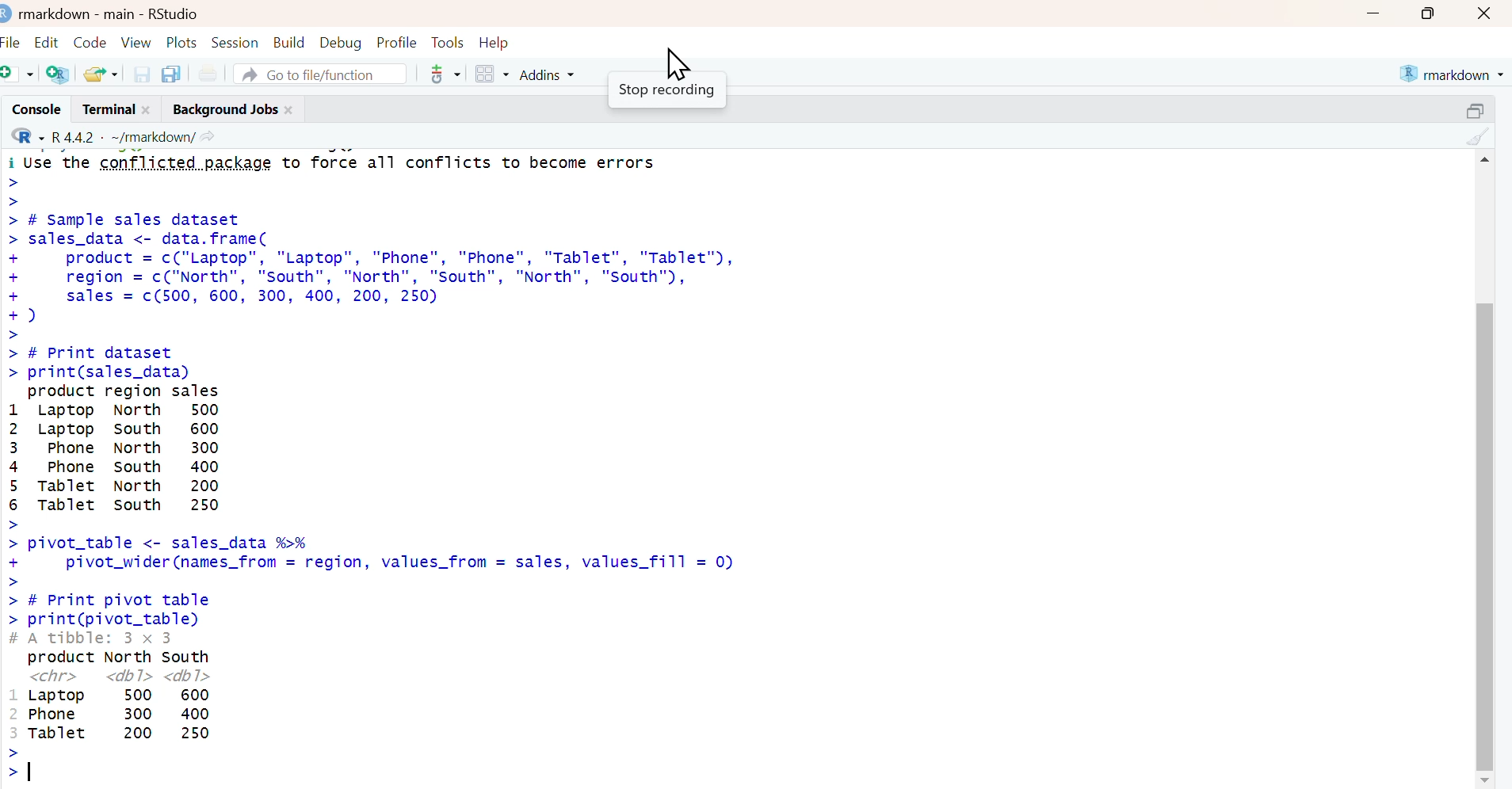 The width and height of the screenshot is (1512, 789). What do you see at coordinates (1480, 135) in the screenshot?
I see `clear console` at bounding box center [1480, 135].